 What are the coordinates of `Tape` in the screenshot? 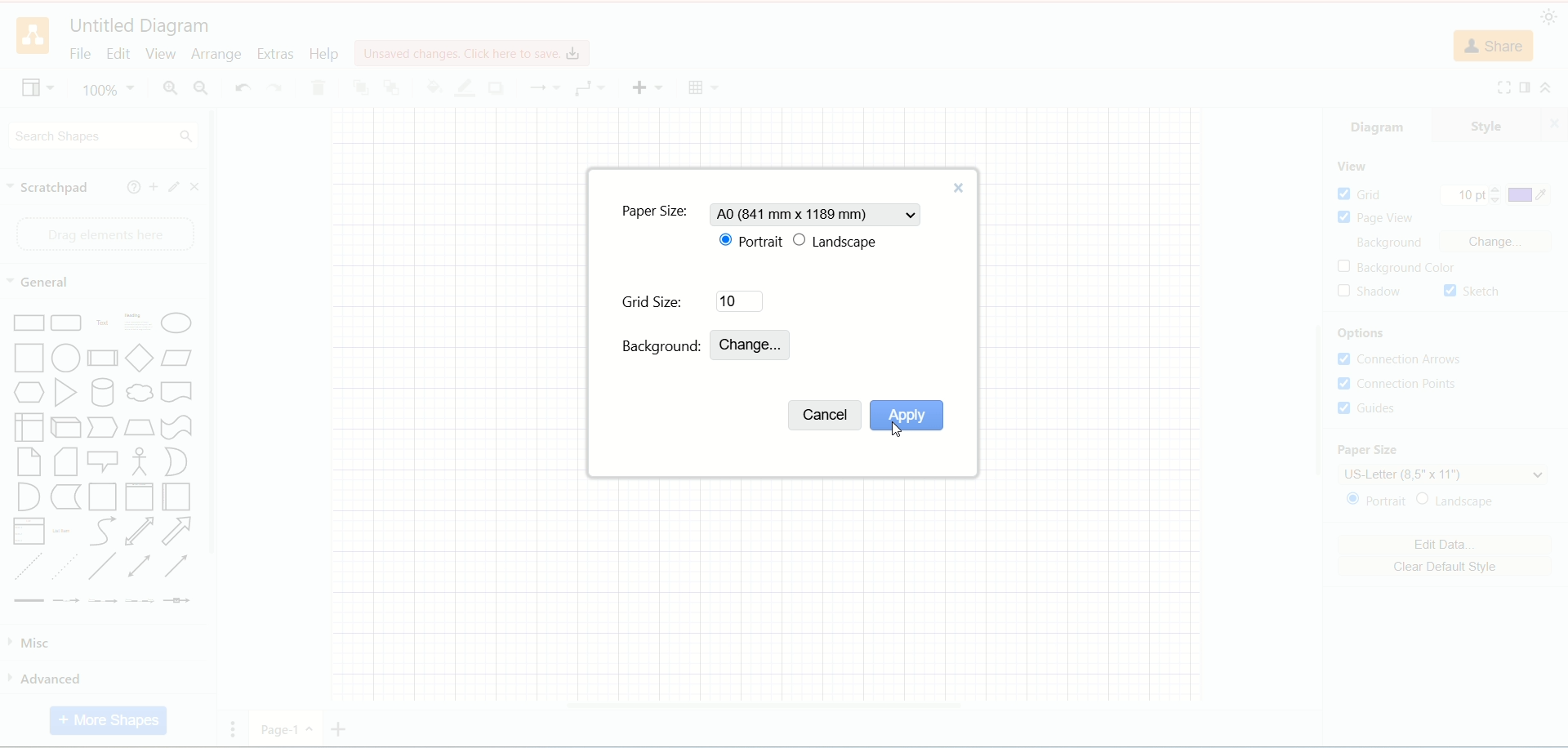 It's located at (176, 428).